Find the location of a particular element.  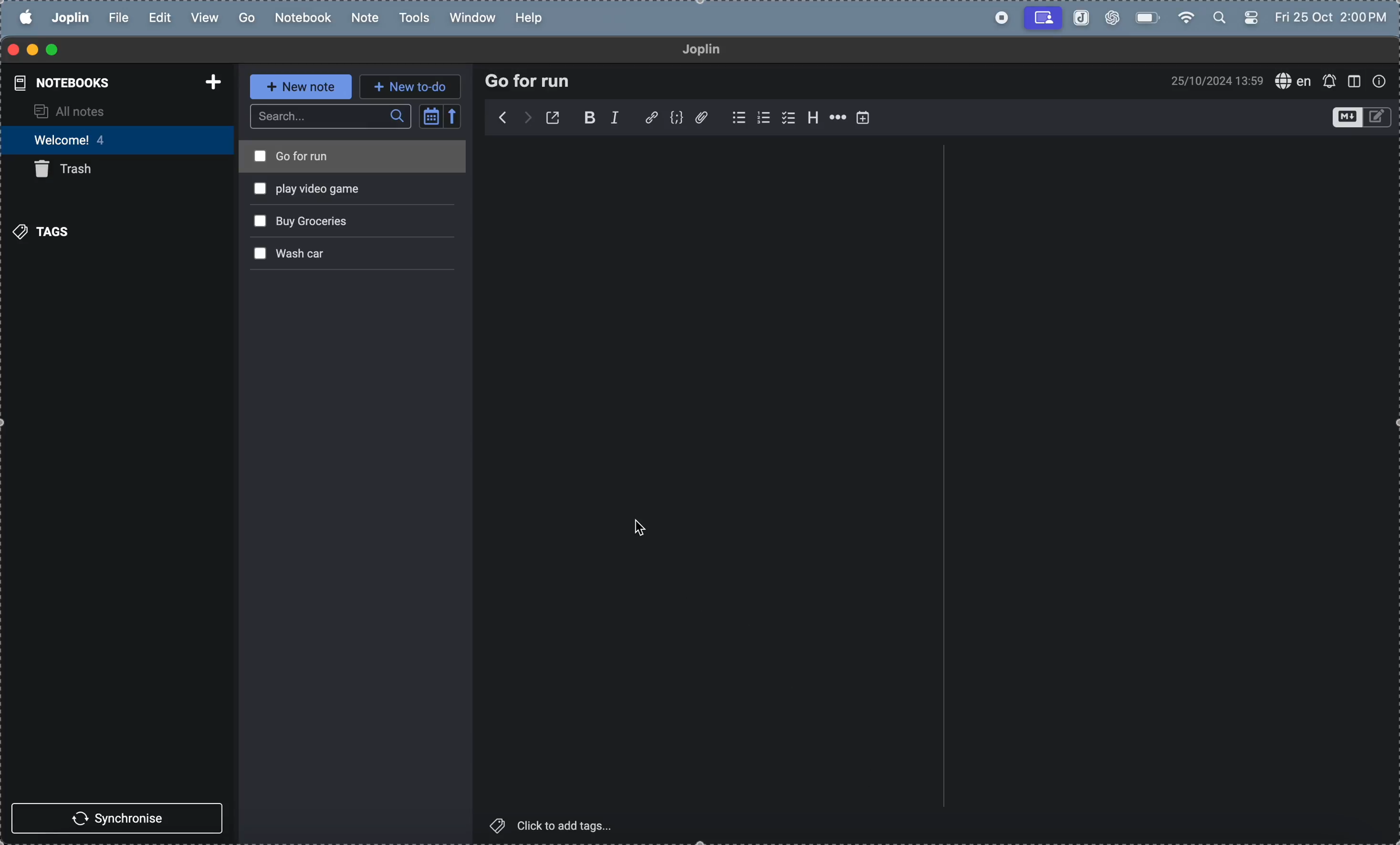

calendar is located at coordinates (441, 116).